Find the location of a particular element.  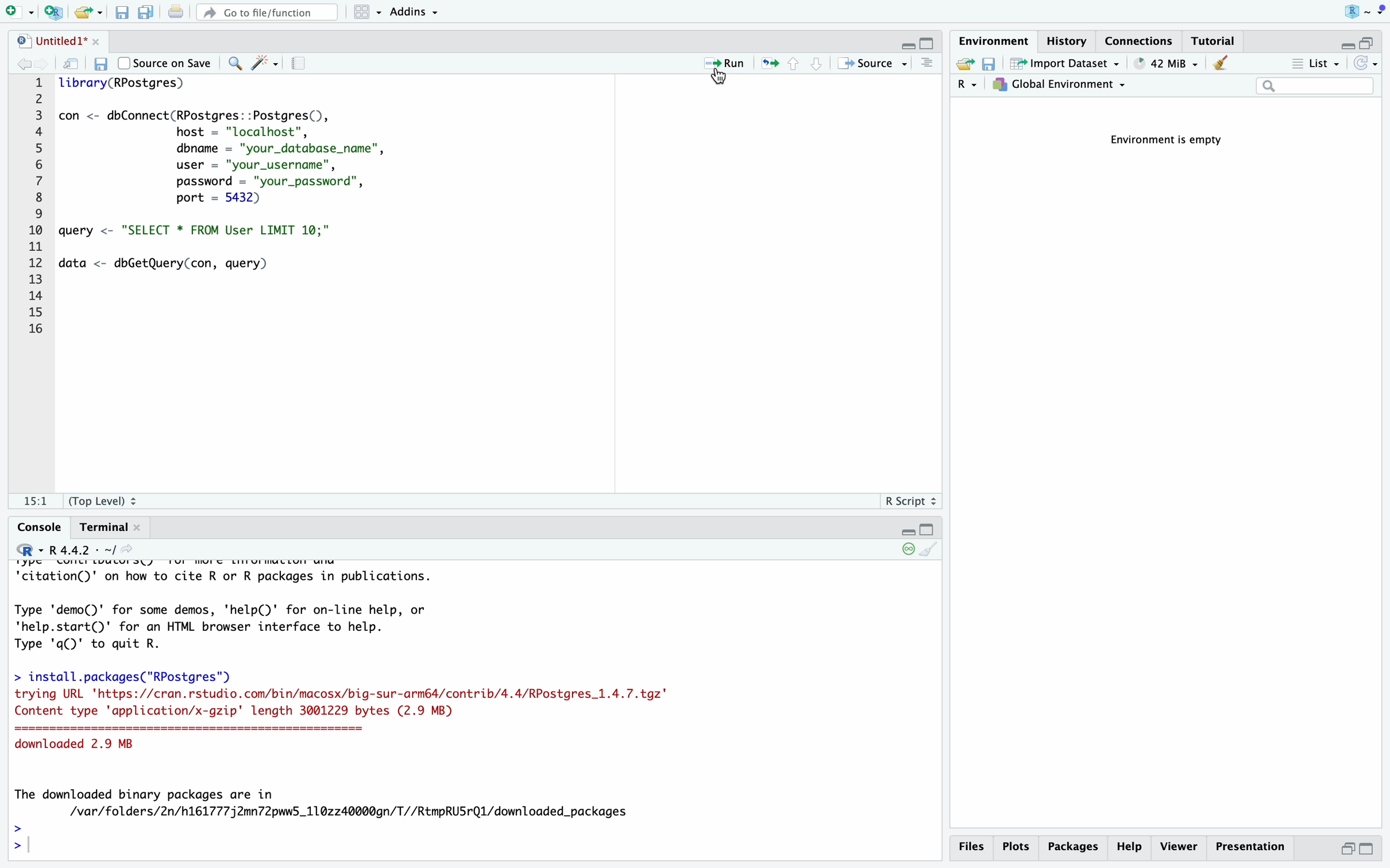

run the current line or selection is located at coordinates (727, 65).